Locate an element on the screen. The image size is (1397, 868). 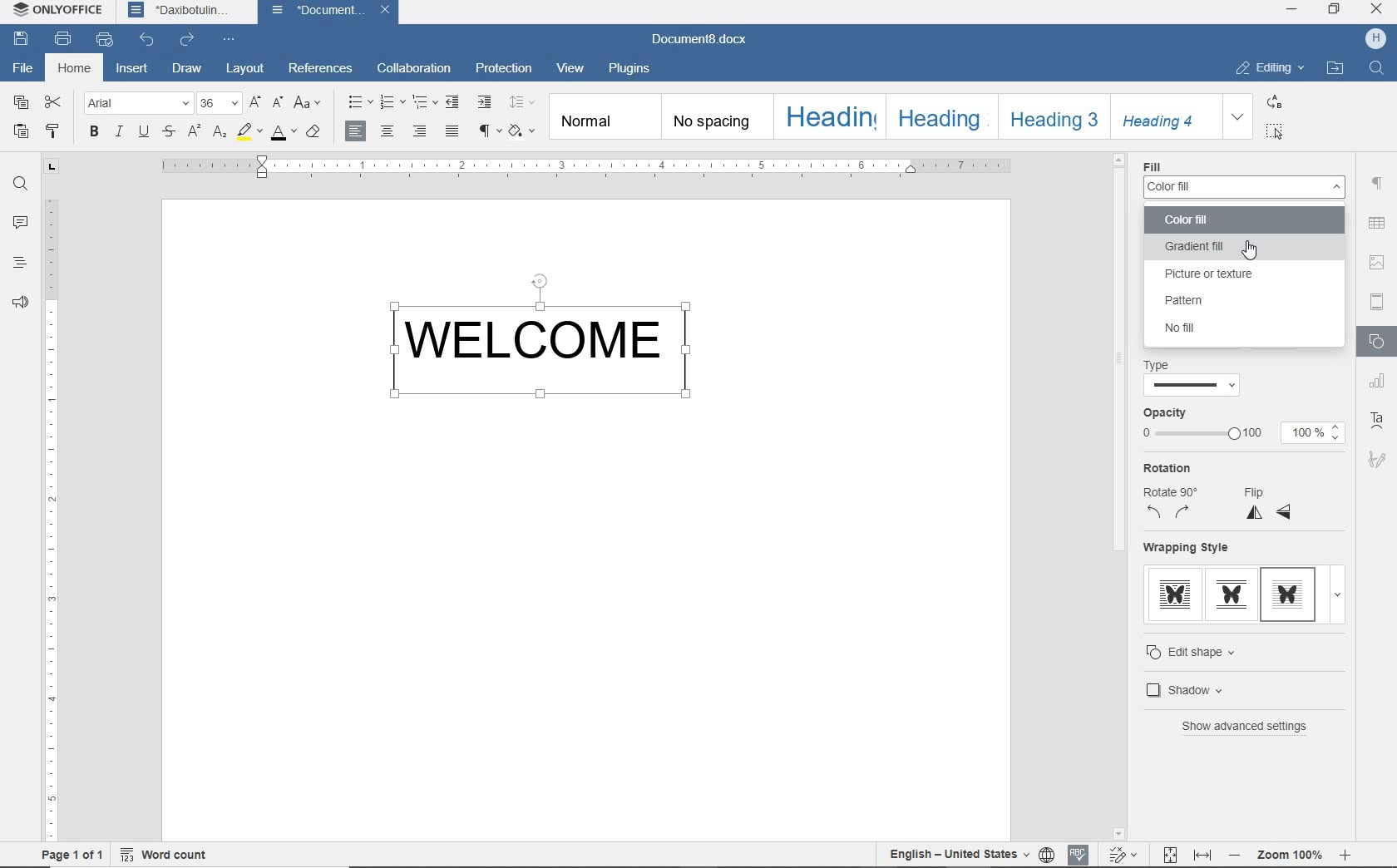
Increase/Decrease opacity is located at coordinates (1337, 432).